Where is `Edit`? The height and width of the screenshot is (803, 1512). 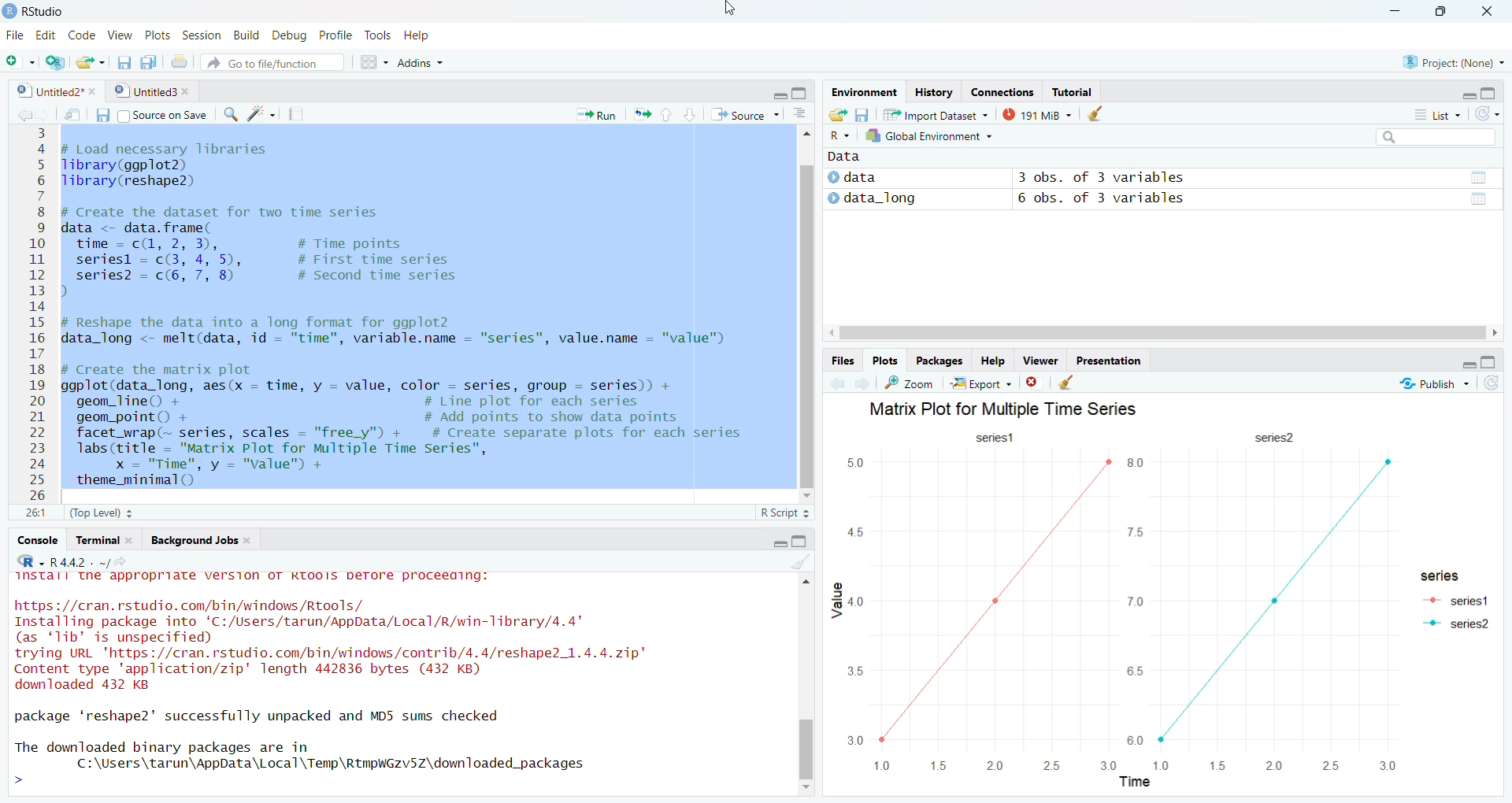 Edit is located at coordinates (47, 35).